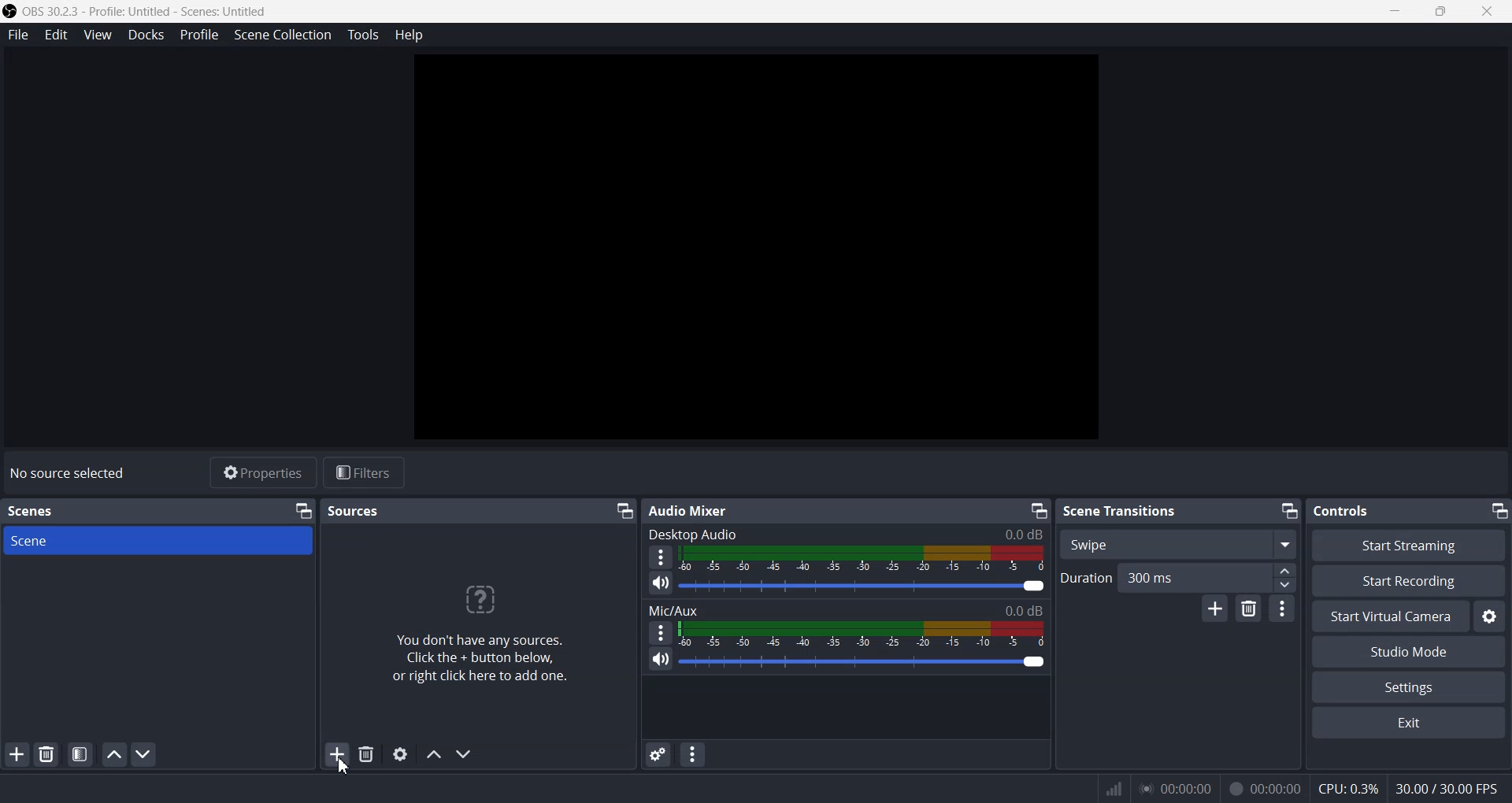 Image resolution: width=1512 pixels, height=803 pixels. I want to click on Swipe, so click(1179, 543).